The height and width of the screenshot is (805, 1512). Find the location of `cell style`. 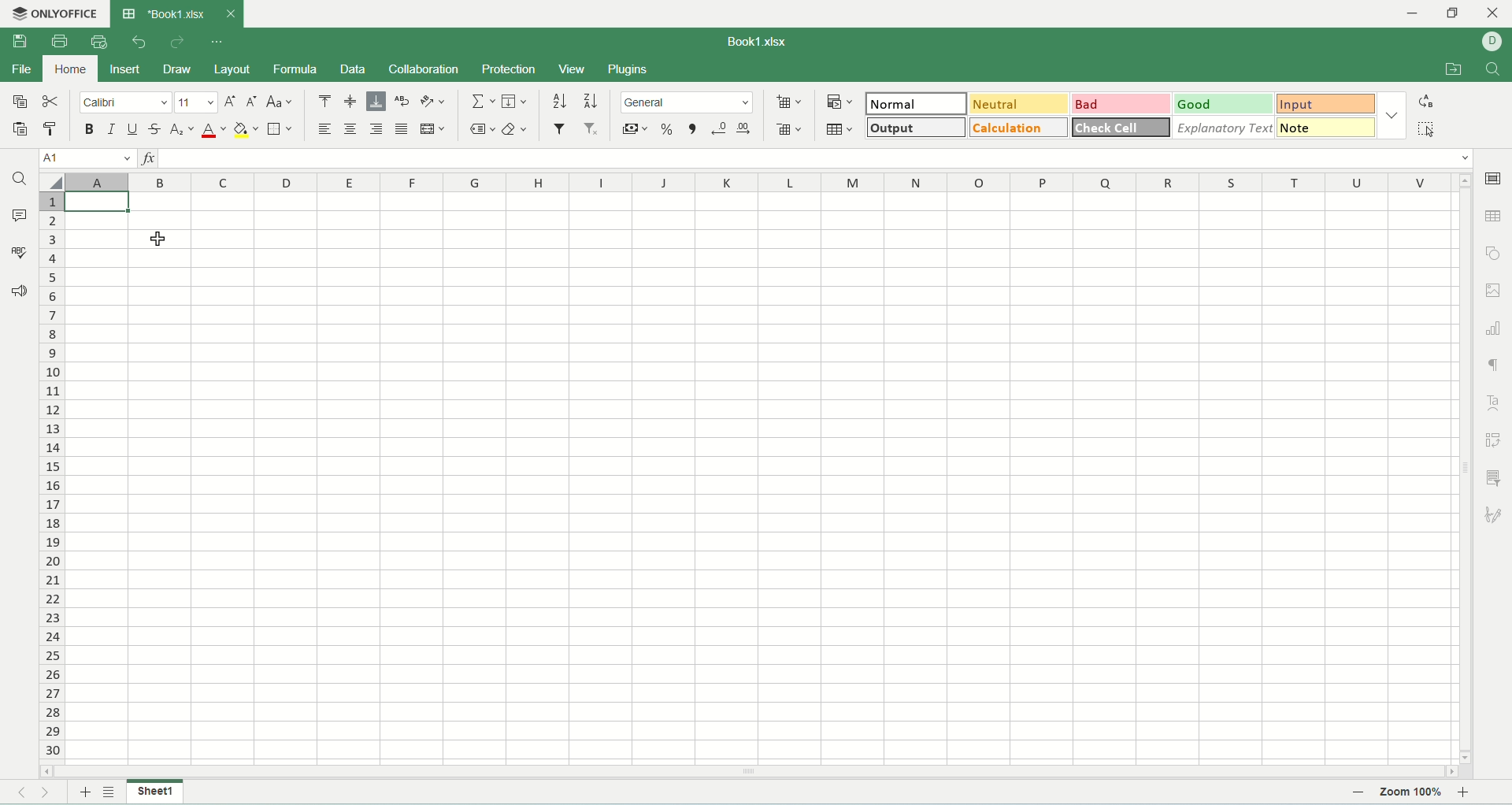

cell style is located at coordinates (1392, 115).